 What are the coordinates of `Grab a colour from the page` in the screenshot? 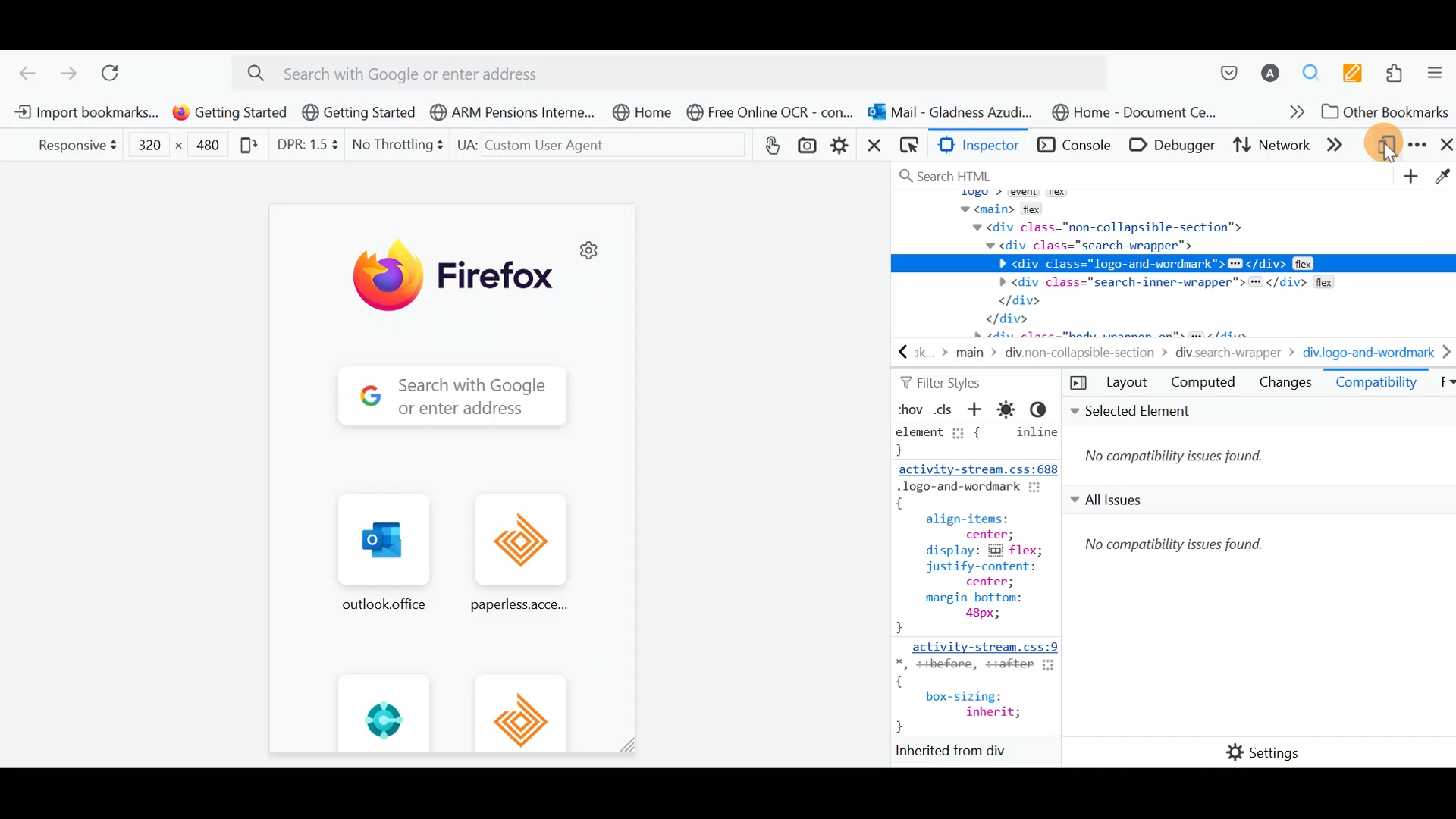 It's located at (1442, 179).